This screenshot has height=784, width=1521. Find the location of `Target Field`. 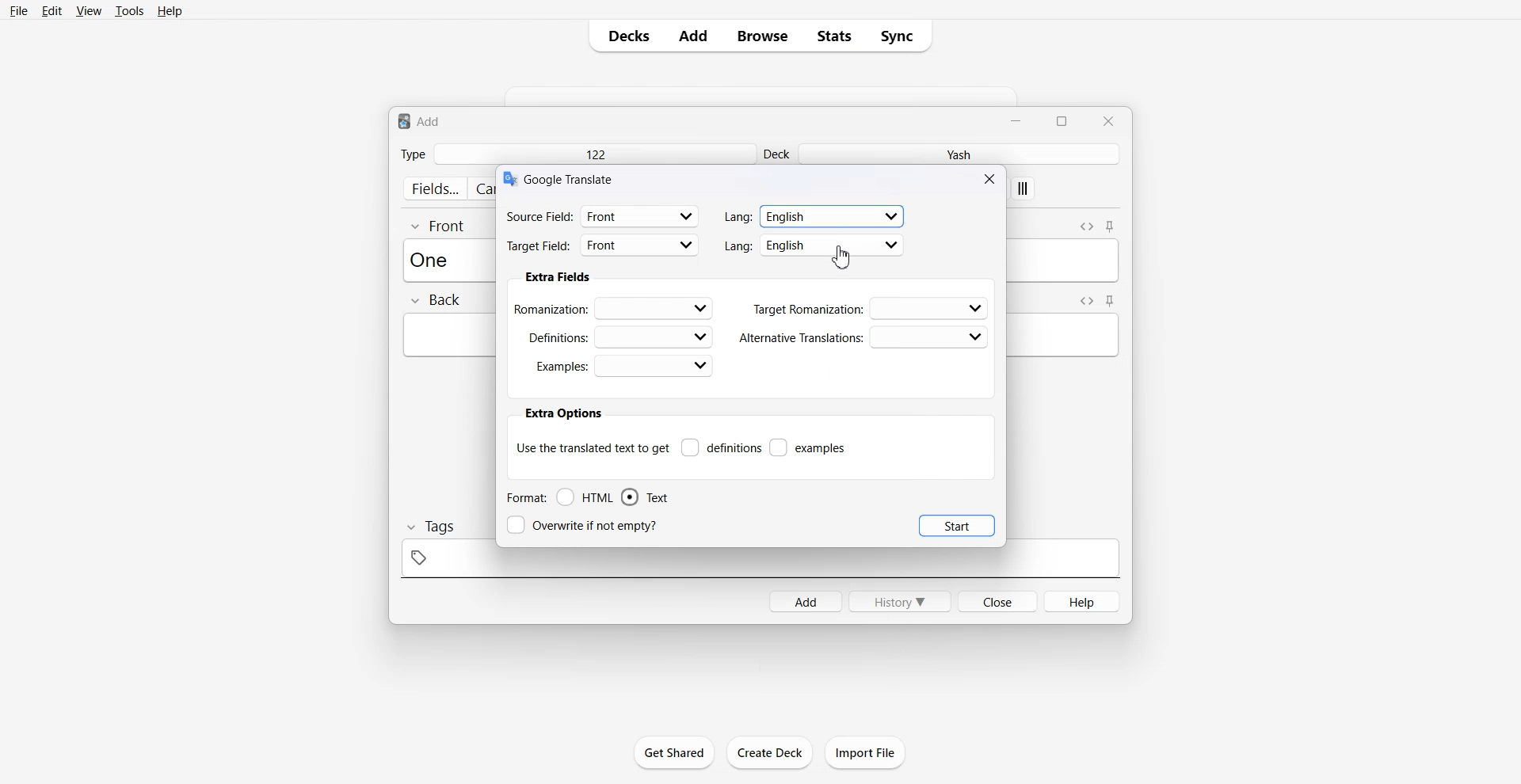

Target Field is located at coordinates (603, 247).